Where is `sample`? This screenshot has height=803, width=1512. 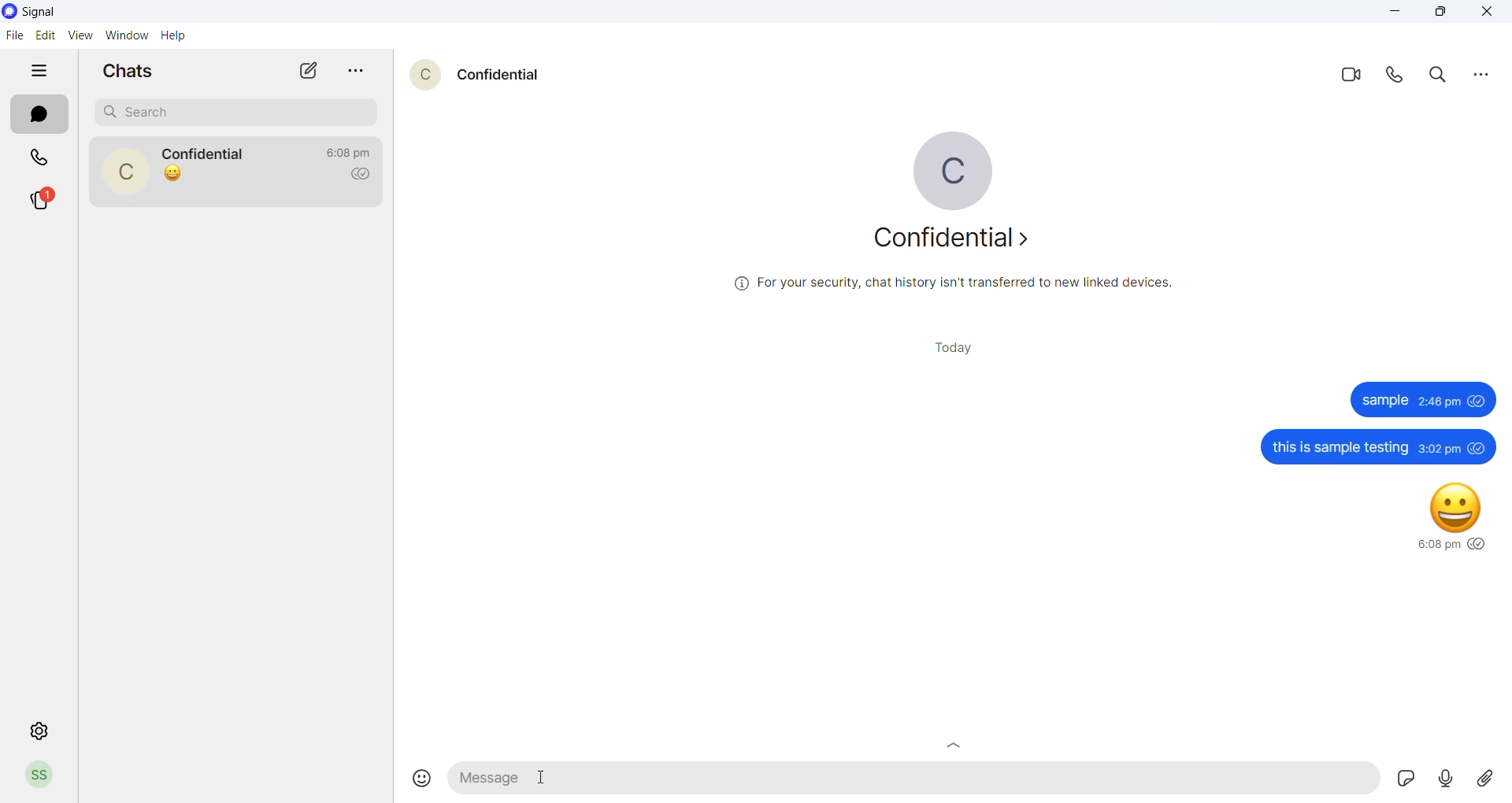 sample is located at coordinates (1411, 399).